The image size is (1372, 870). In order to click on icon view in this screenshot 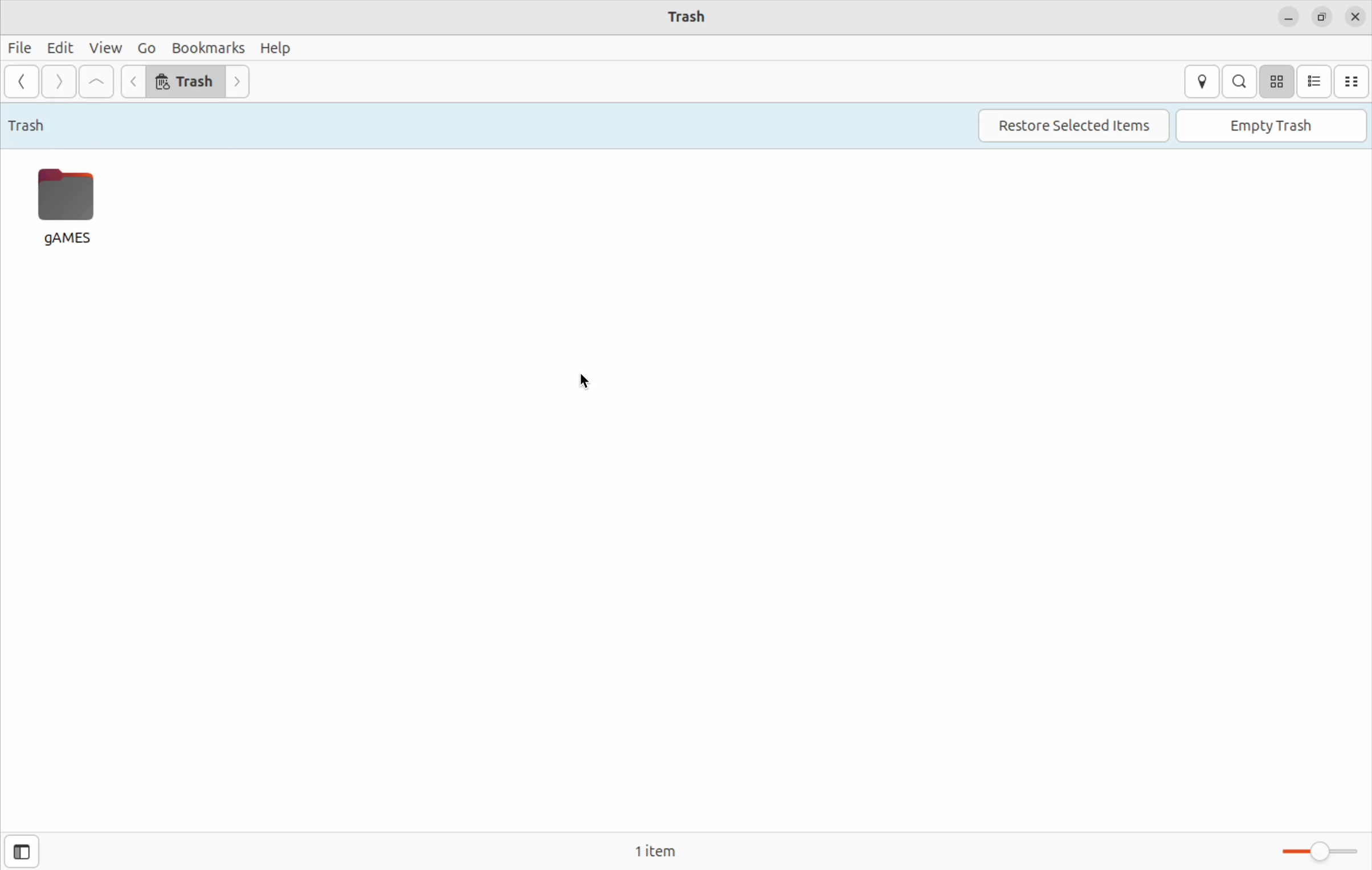, I will do `click(1278, 81)`.